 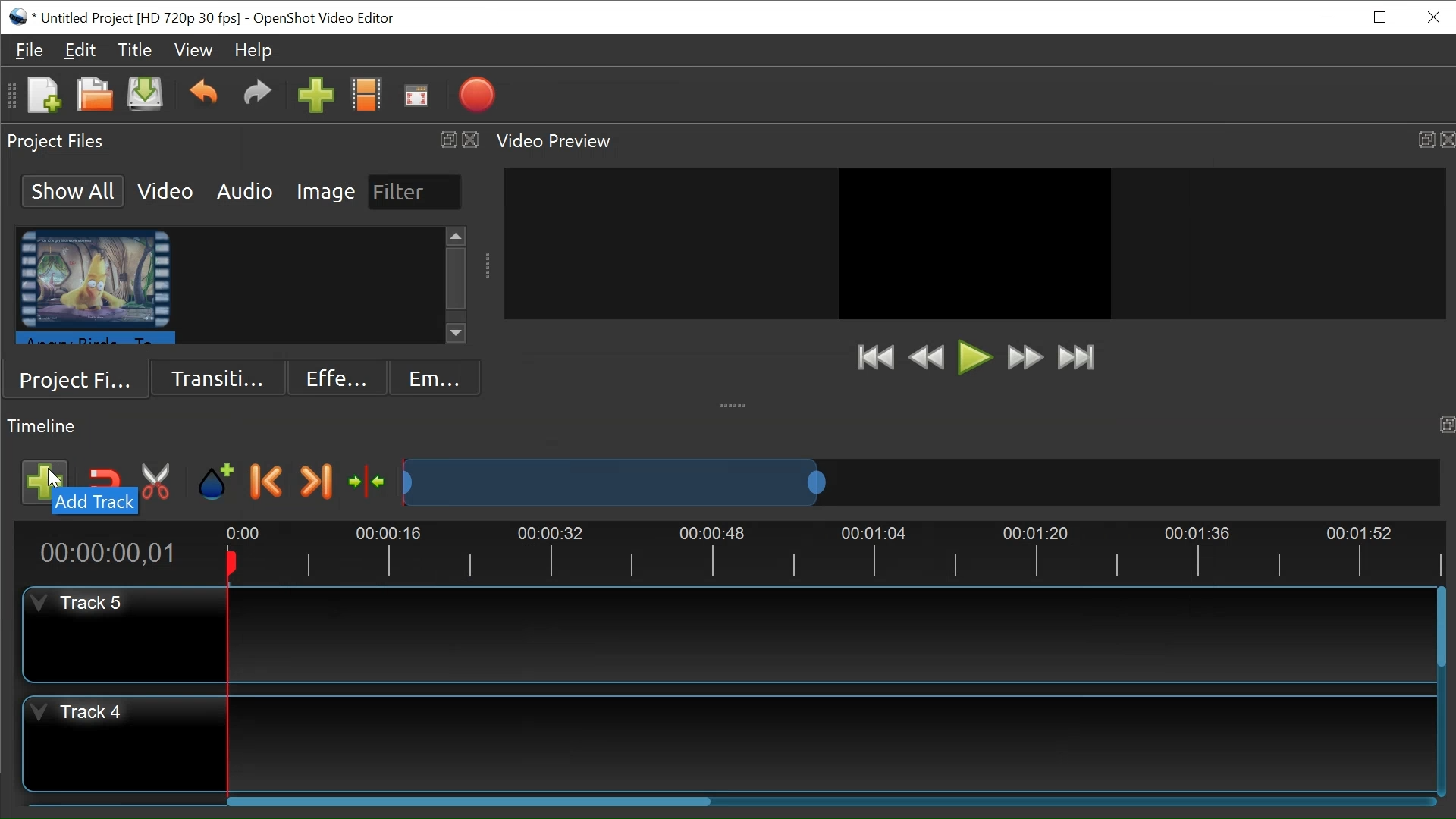 What do you see at coordinates (43, 95) in the screenshot?
I see `New File` at bounding box center [43, 95].